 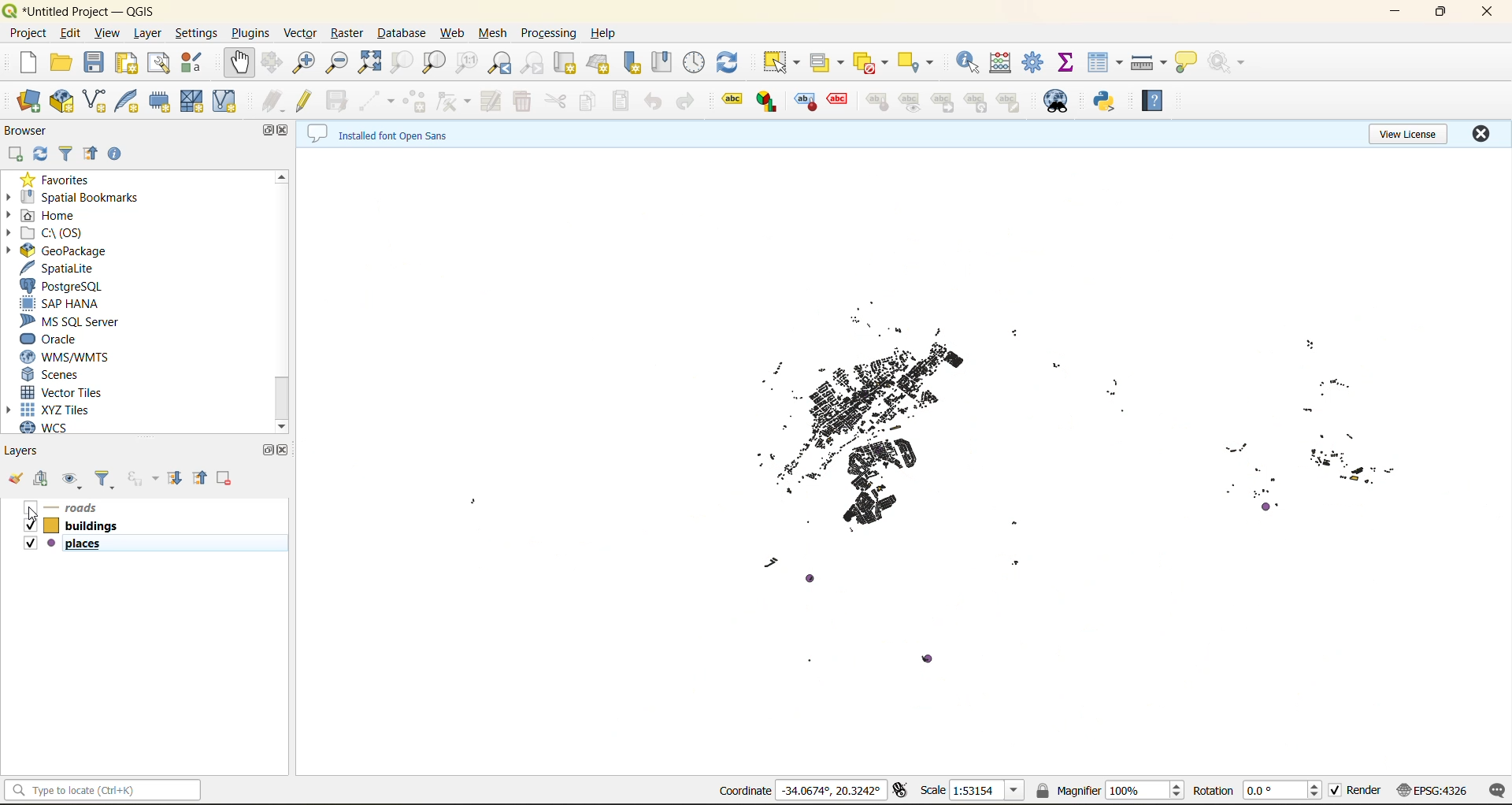 What do you see at coordinates (225, 479) in the screenshot?
I see `remove` at bounding box center [225, 479].